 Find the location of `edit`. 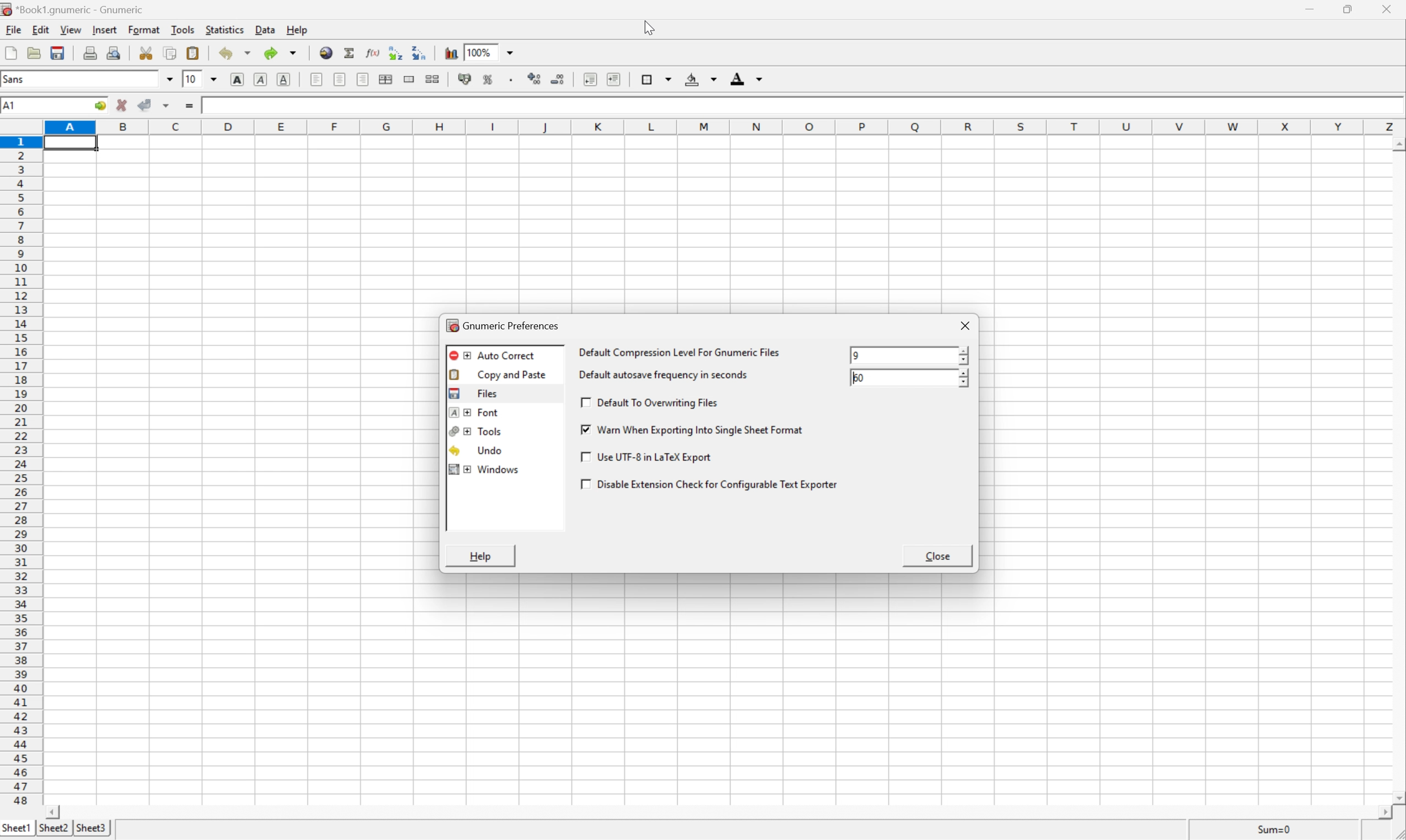

edit is located at coordinates (40, 30).